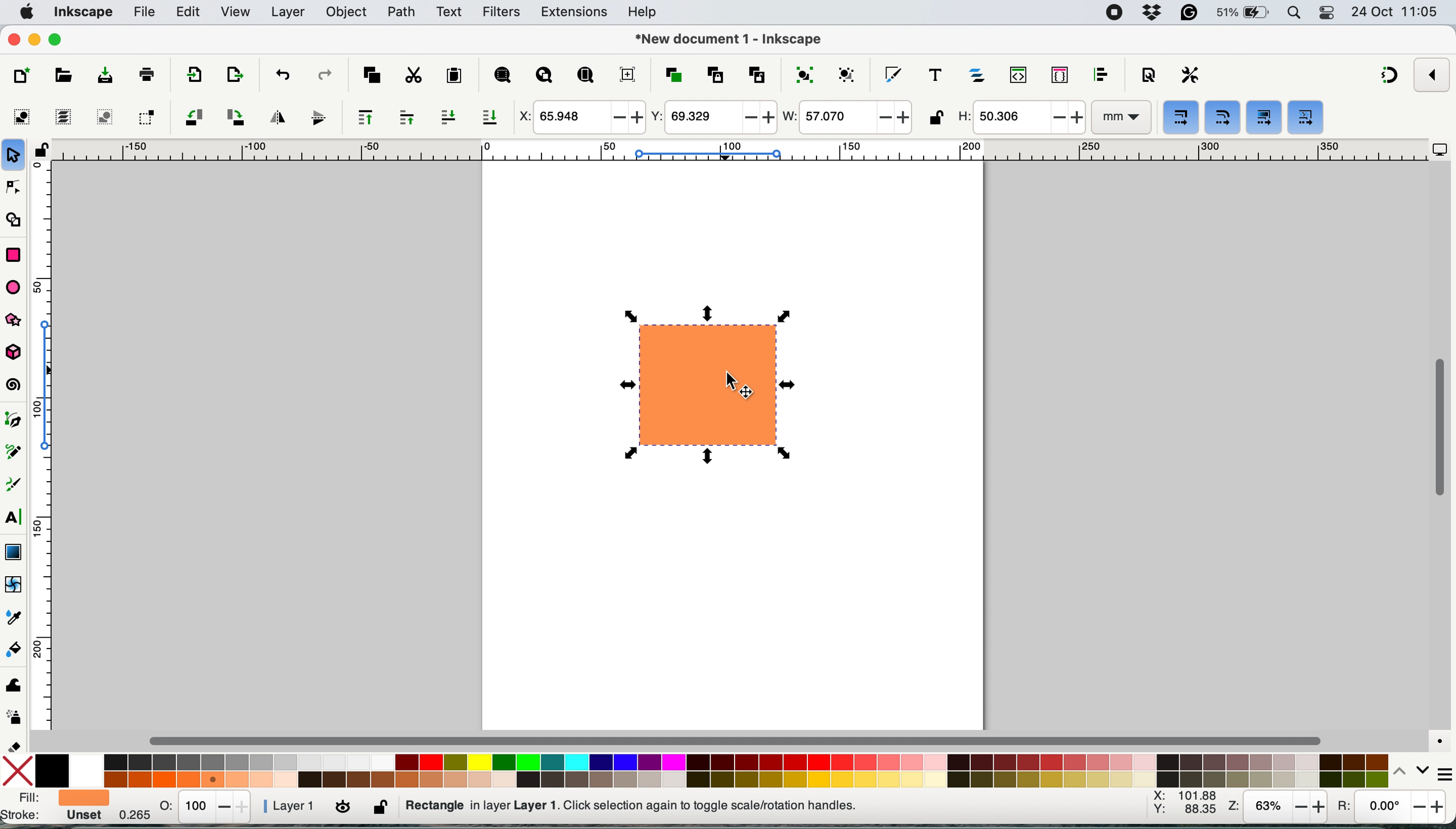 The height and width of the screenshot is (829, 1456). What do you see at coordinates (1389, 810) in the screenshot?
I see `rotation` at bounding box center [1389, 810].